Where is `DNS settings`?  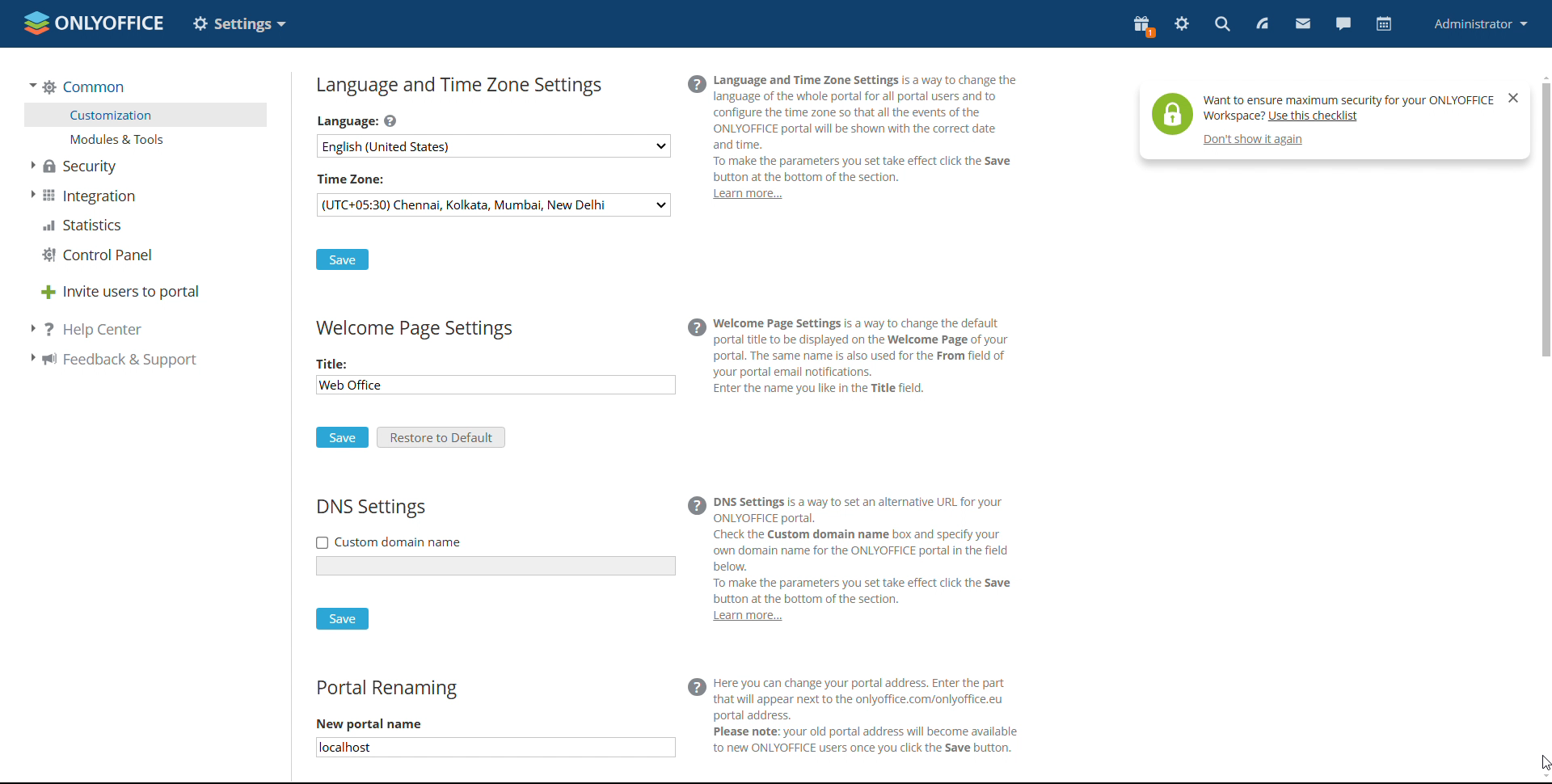 DNS settings is located at coordinates (371, 509).